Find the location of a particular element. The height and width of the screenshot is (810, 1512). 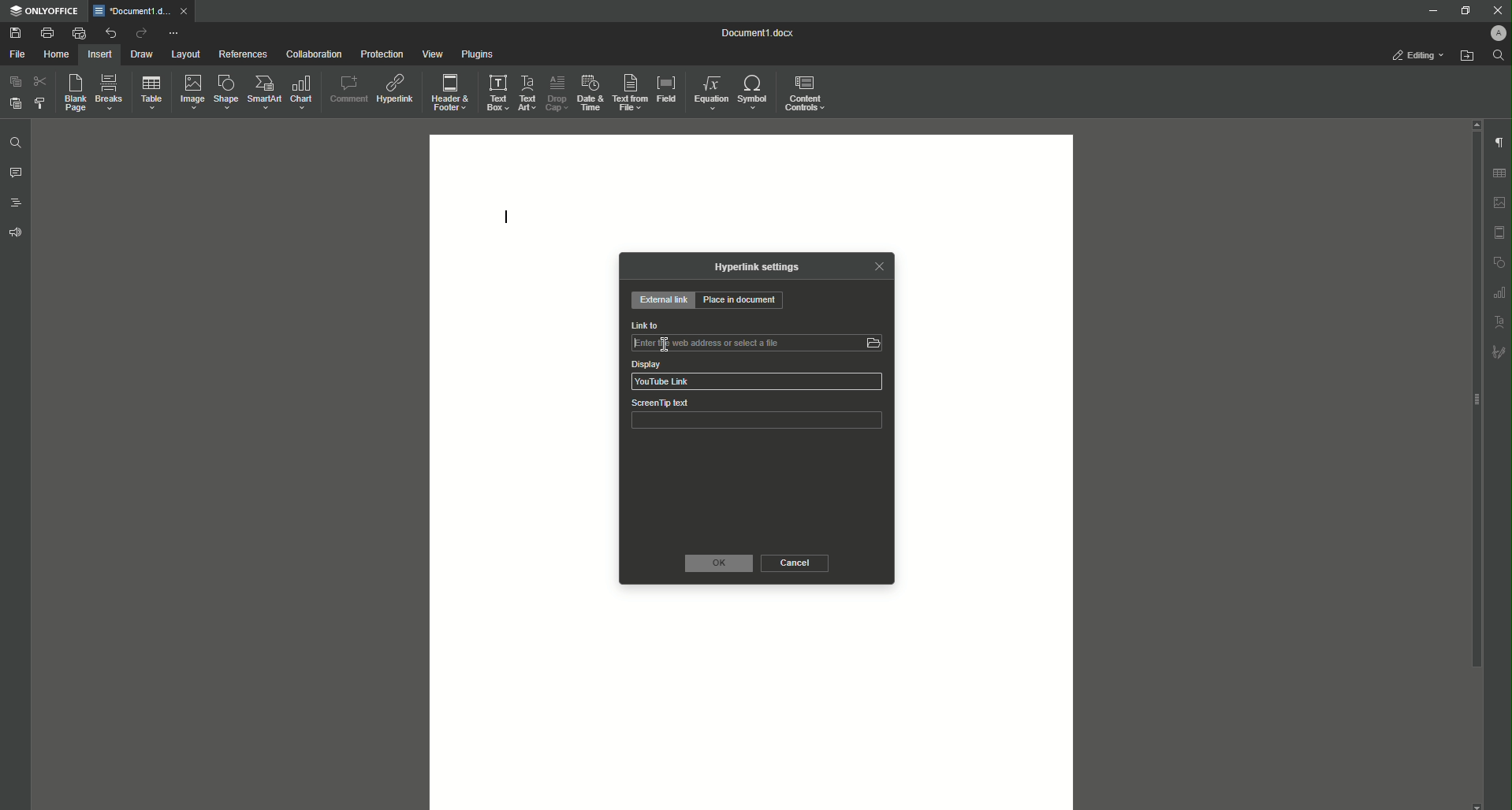

Hyperlink is located at coordinates (396, 91).